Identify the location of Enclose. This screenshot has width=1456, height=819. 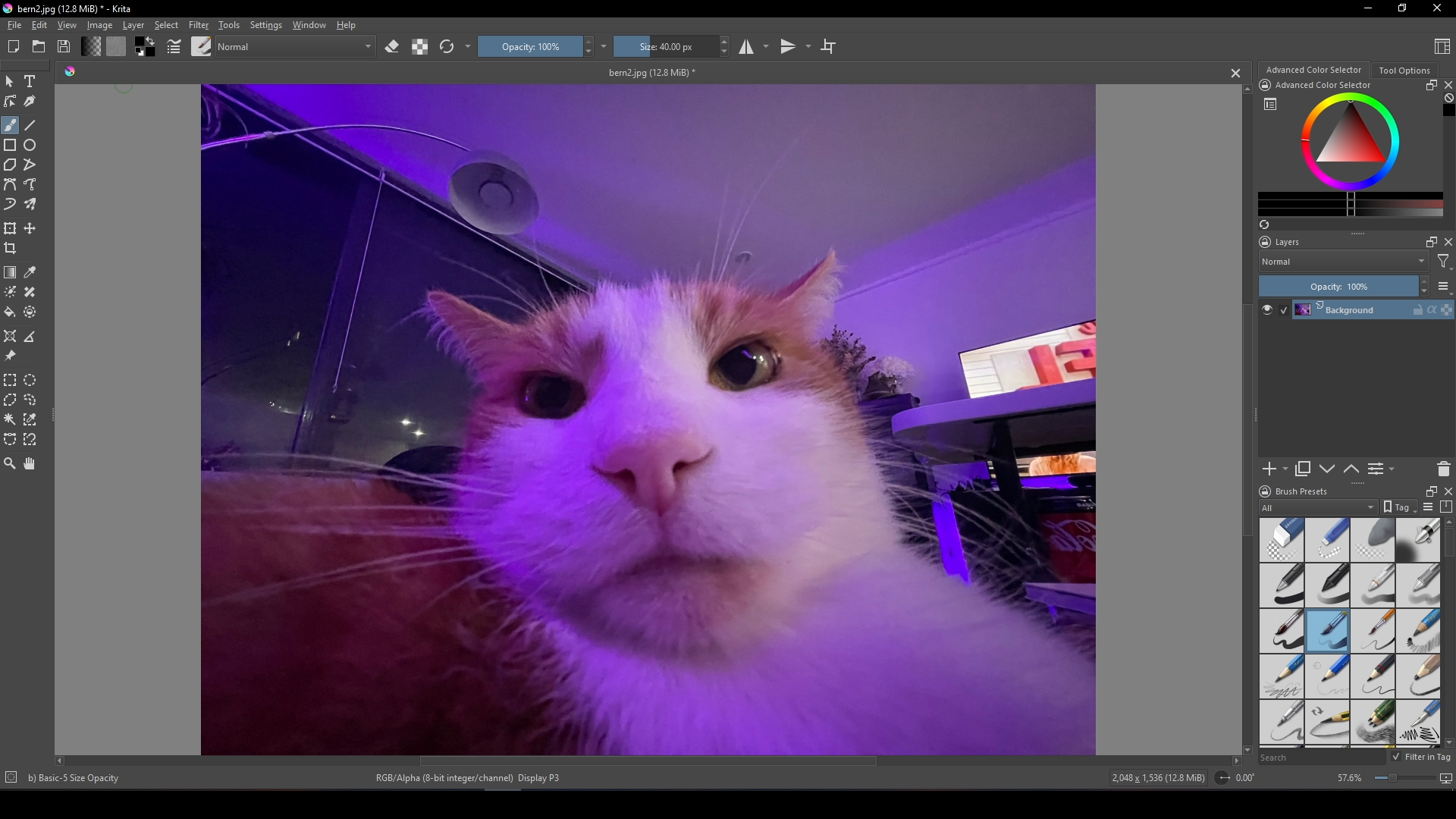
(30, 312).